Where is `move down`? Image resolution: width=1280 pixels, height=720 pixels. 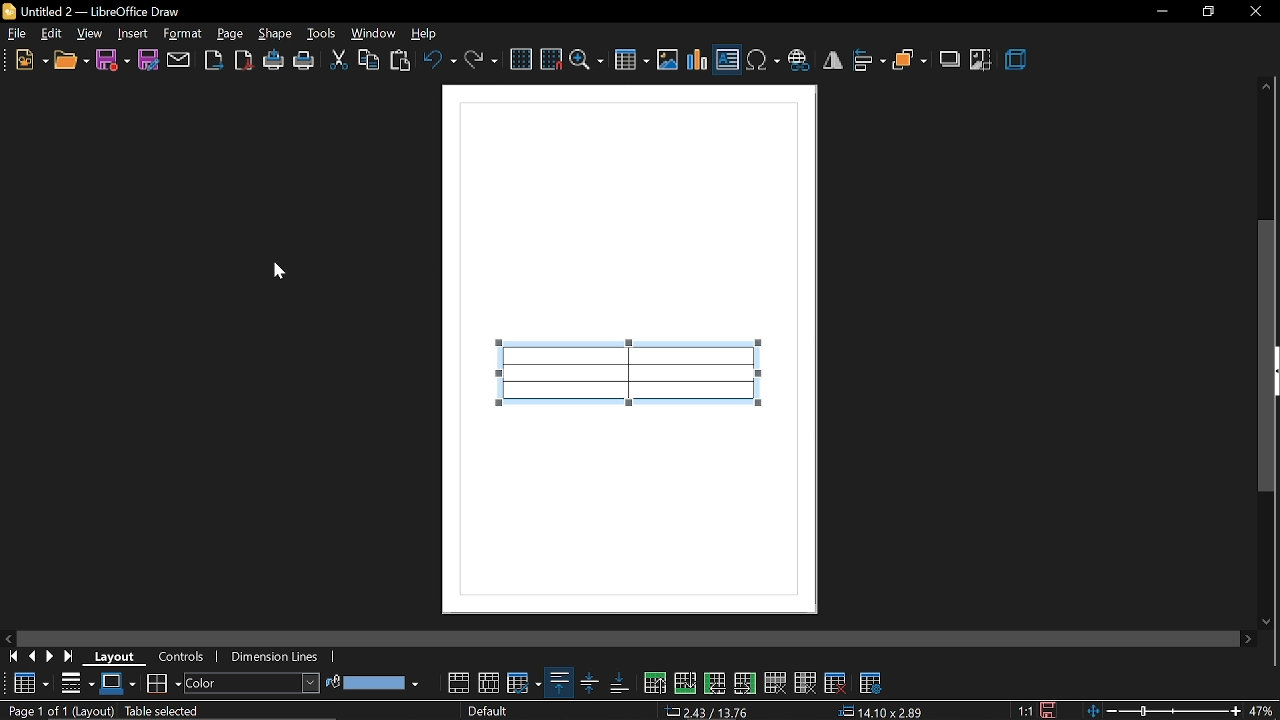 move down is located at coordinates (1267, 621).